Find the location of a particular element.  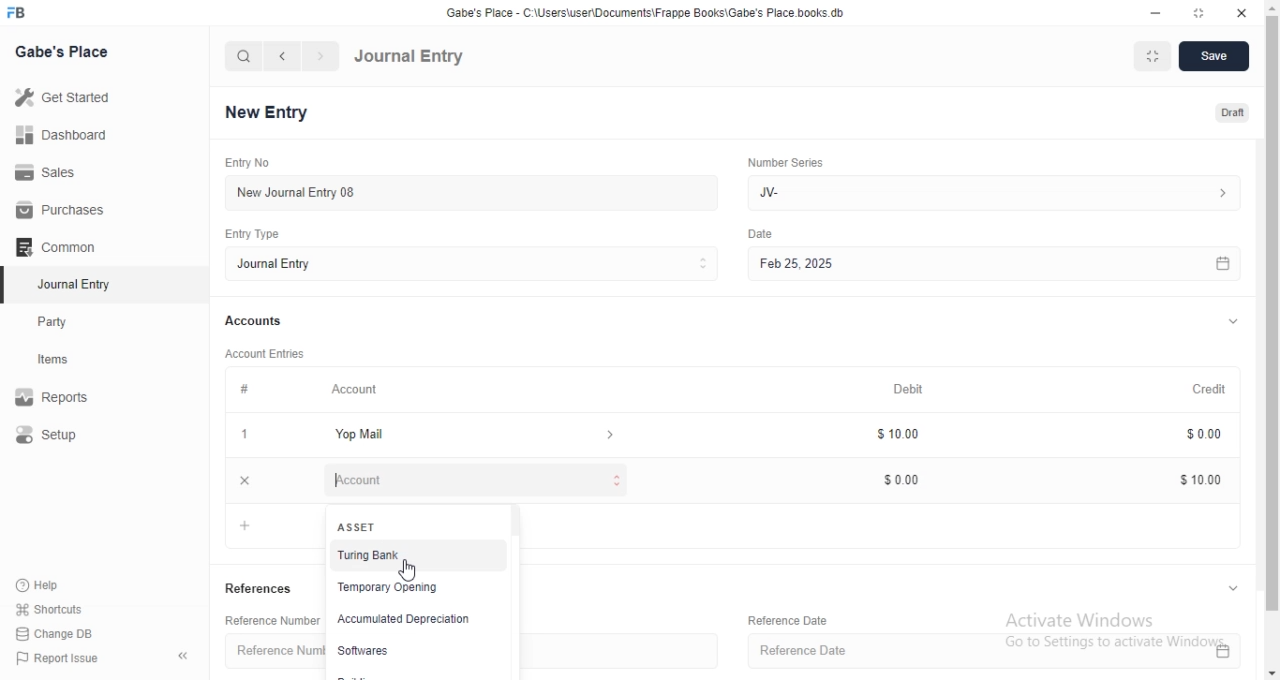

Turing Bank is located at coordinates (411, 555).